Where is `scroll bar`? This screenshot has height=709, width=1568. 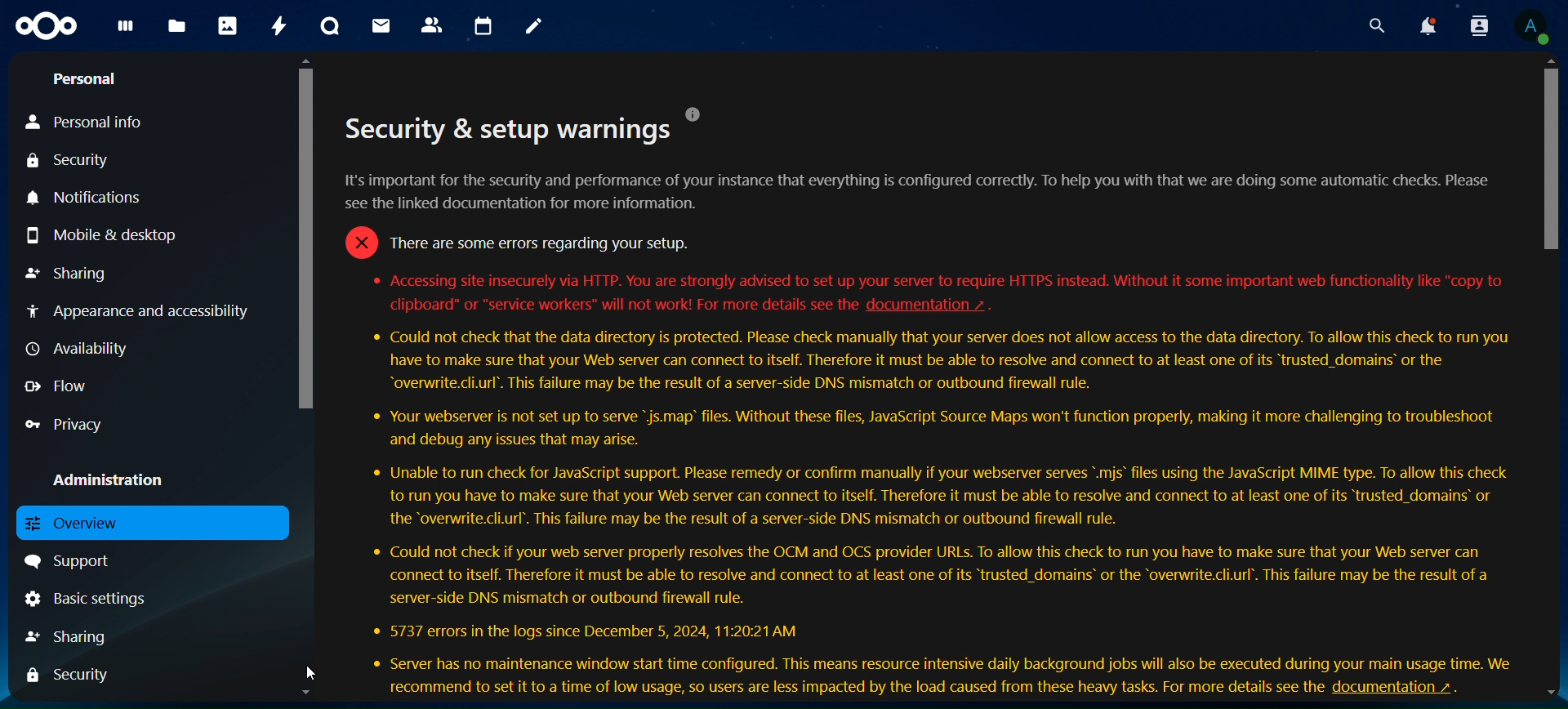 scroll bar is located at coordinates (1553, 378).